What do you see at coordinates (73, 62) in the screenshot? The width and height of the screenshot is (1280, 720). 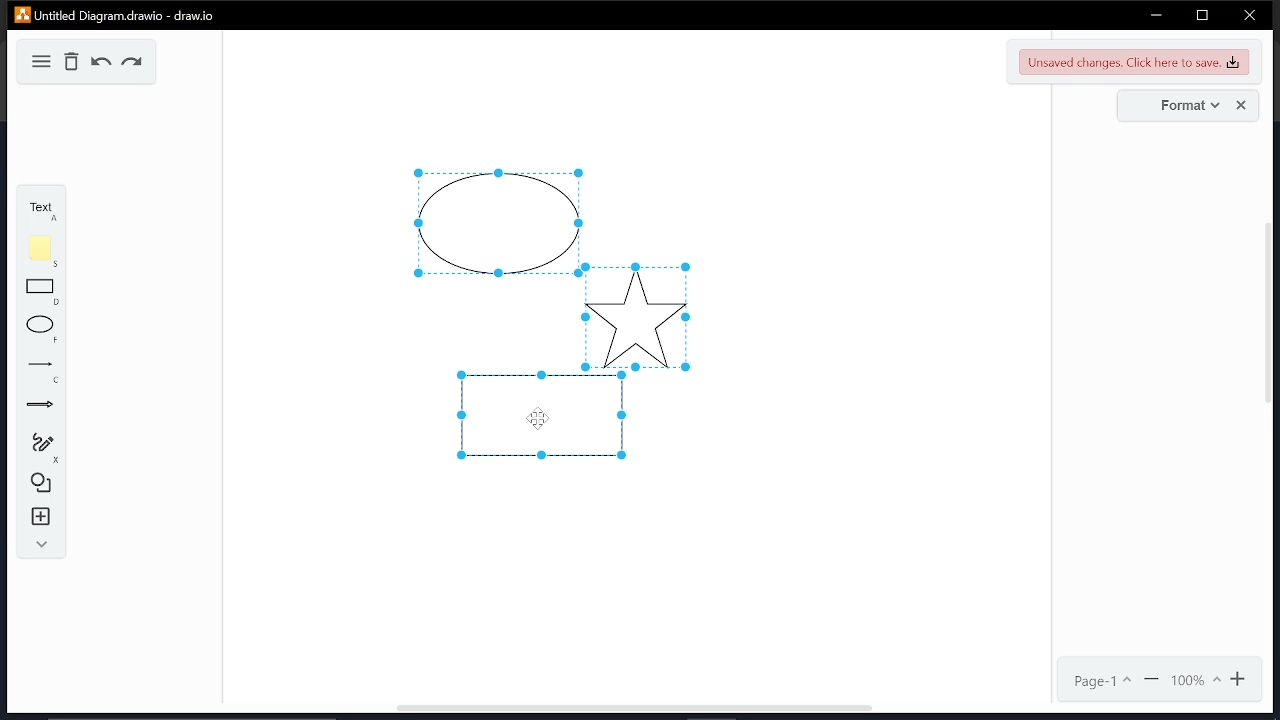 I see `delete` at bounding box center [73, 62].